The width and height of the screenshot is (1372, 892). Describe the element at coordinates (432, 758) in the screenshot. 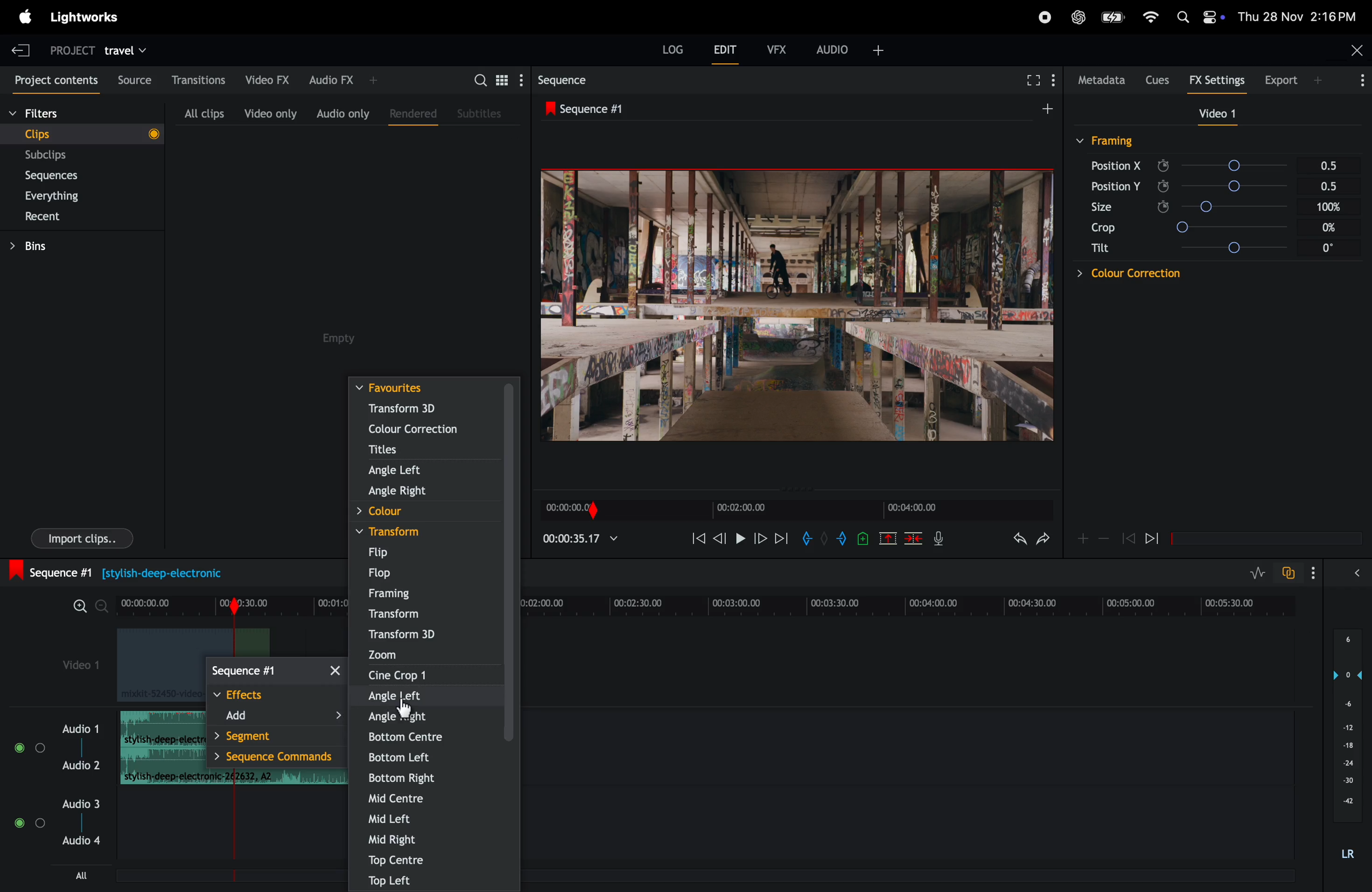

I see `bottom left` at that location.